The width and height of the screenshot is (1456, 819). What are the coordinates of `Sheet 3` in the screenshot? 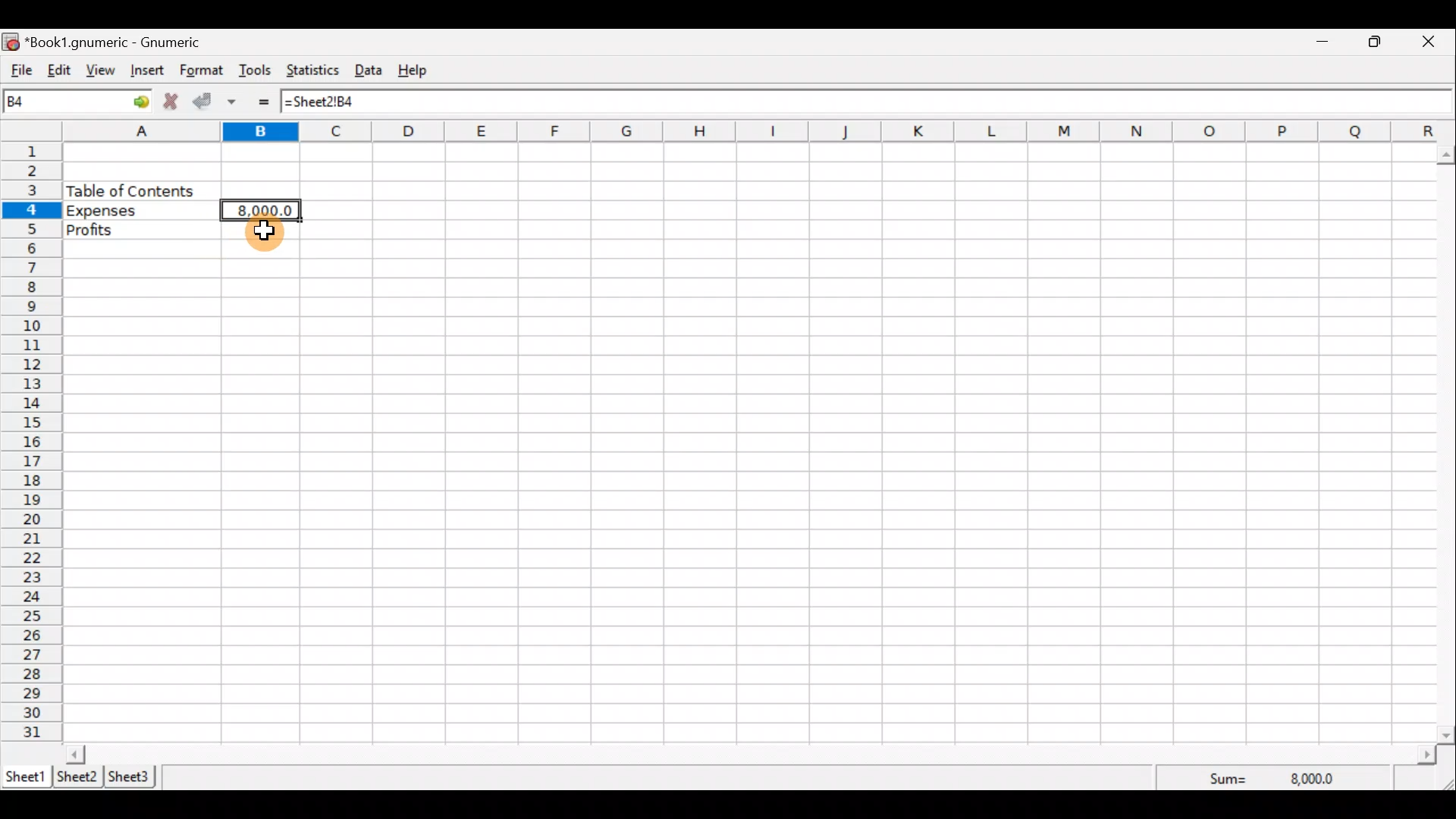 It's located at (133, 777).